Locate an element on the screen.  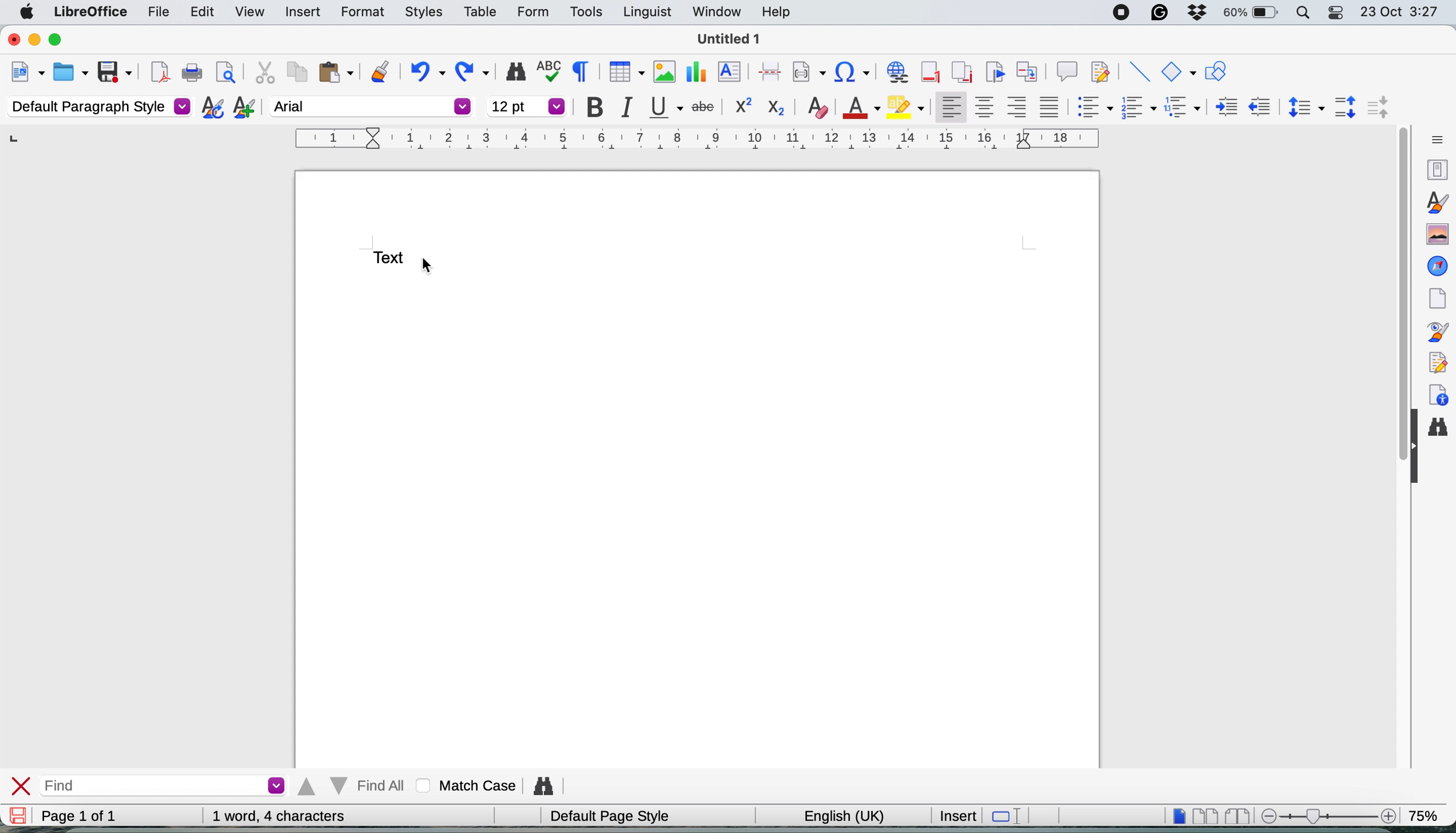
style is located at coordinates (696, 138).